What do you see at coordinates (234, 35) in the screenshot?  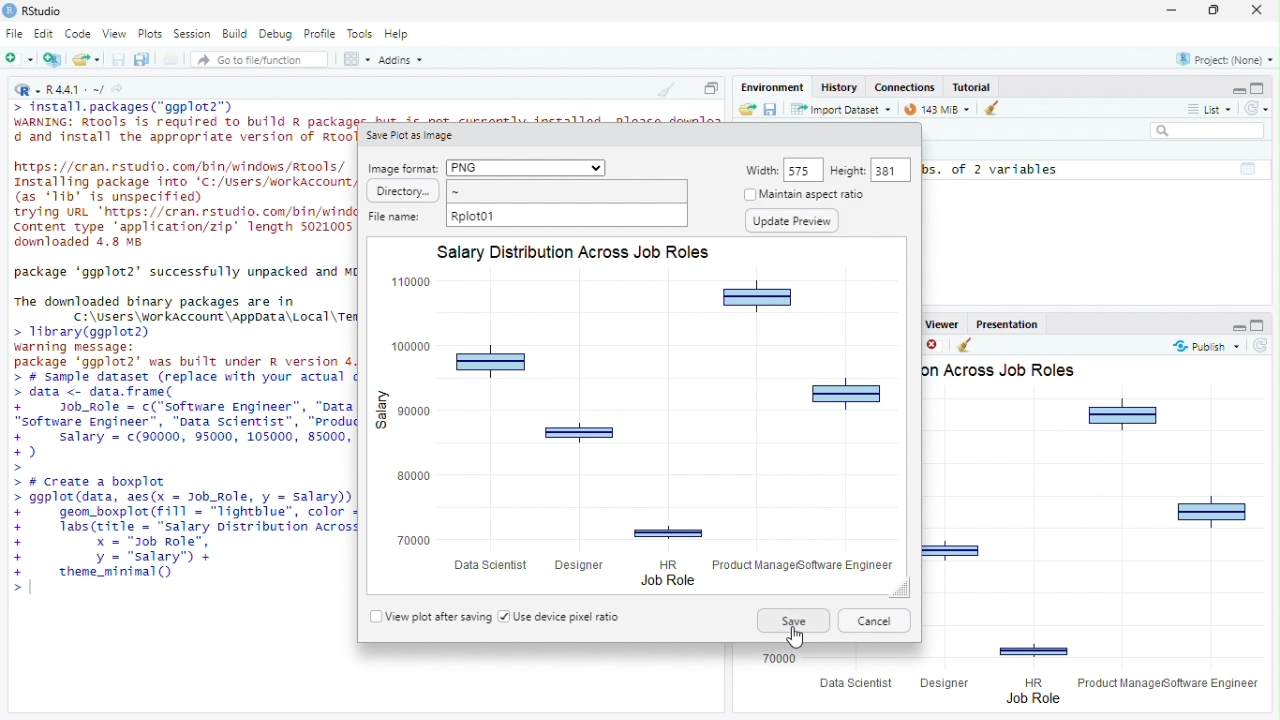 I see `Build` at bounding box center [234, 35].